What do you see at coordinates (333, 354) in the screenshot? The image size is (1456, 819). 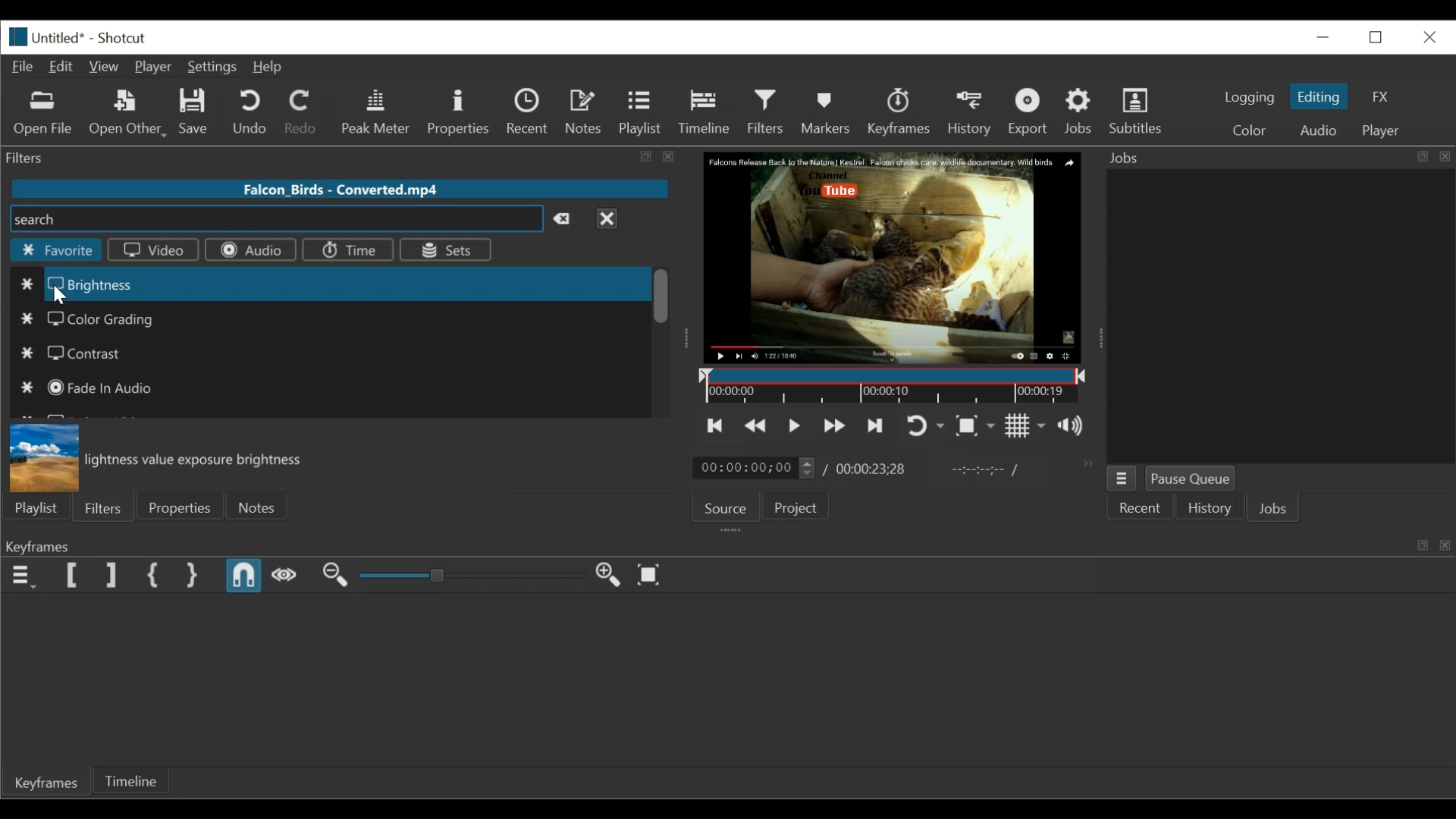 I see `Contrast` at bounding box center [333, 354].